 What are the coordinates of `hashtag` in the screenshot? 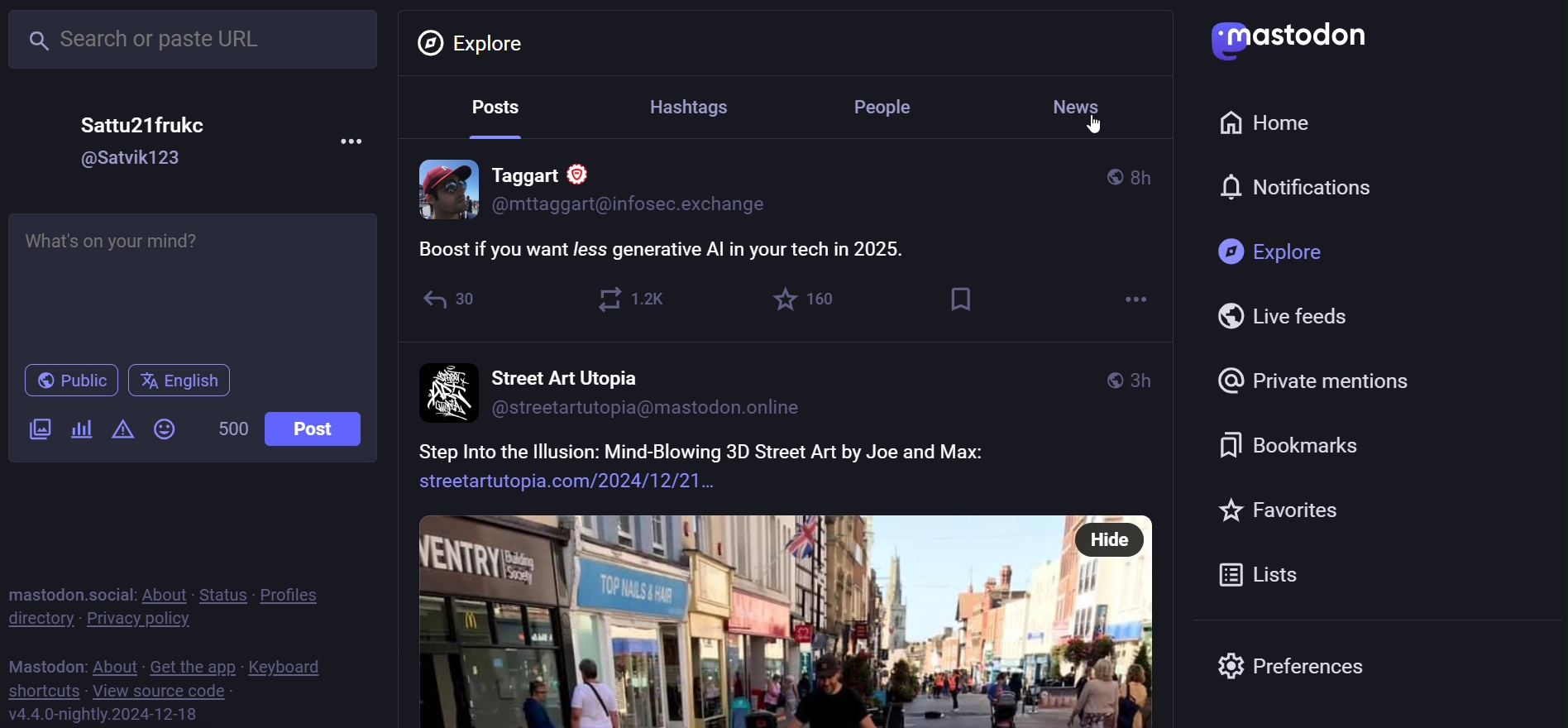 It's located at (692, 105).